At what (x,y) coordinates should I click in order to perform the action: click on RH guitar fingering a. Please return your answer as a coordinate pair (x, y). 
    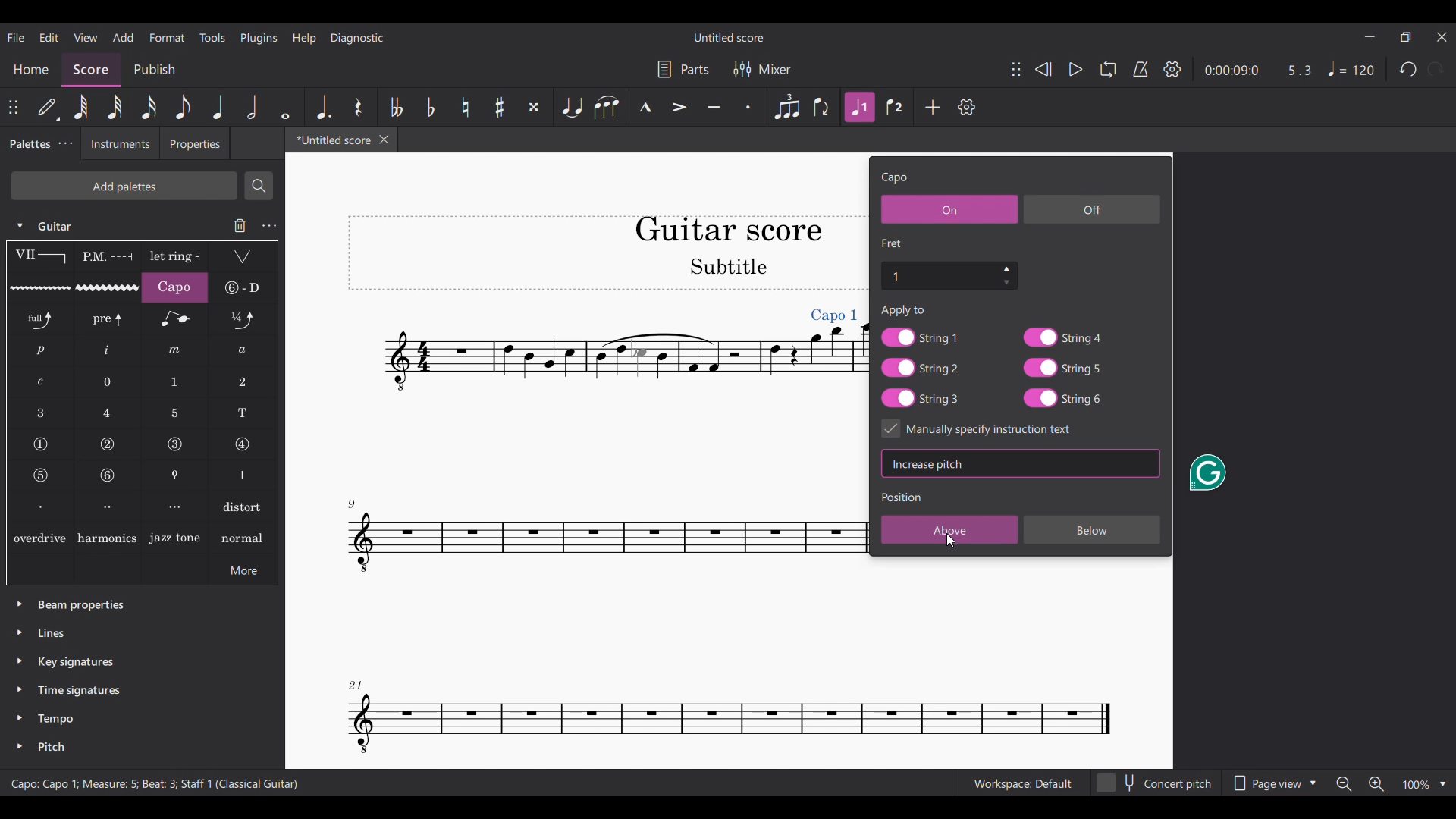
    Looking at the image, I should click on (243, 350).